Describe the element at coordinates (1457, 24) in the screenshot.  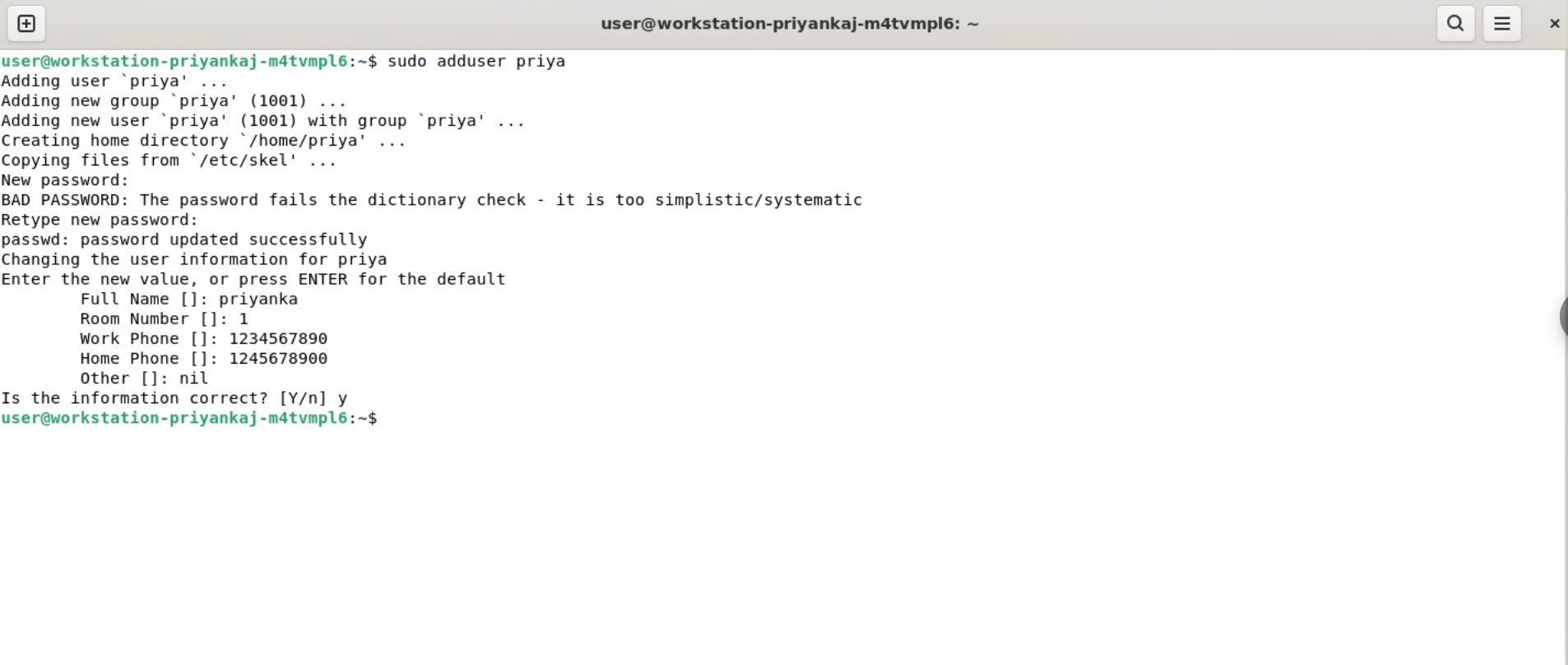
I see `search` at that location.